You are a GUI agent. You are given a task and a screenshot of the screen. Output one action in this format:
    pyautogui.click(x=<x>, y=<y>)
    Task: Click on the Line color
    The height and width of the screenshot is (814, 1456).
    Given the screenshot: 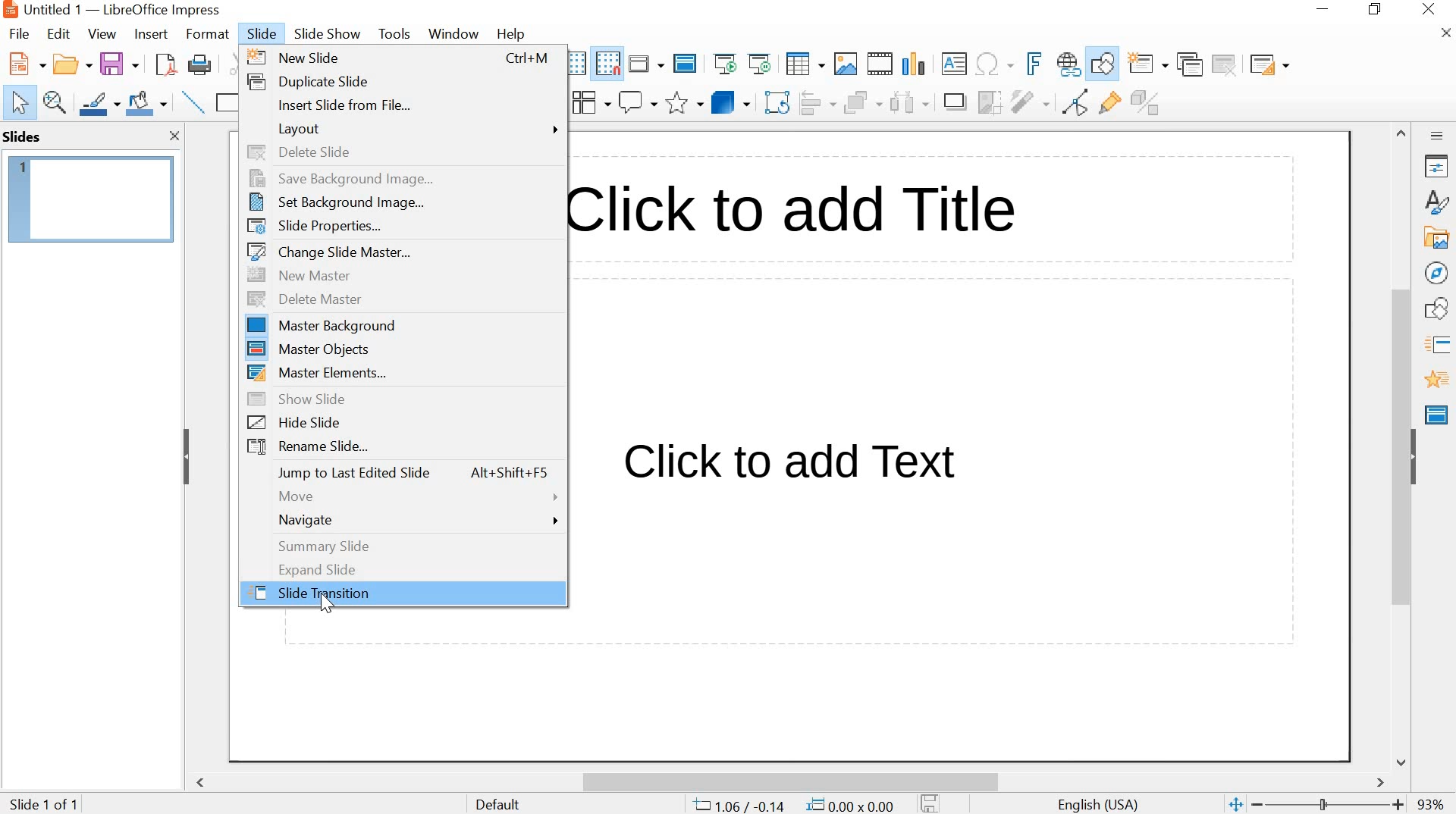 What is the action you would take?
    pyautogui.click(x=99, y=103)
    